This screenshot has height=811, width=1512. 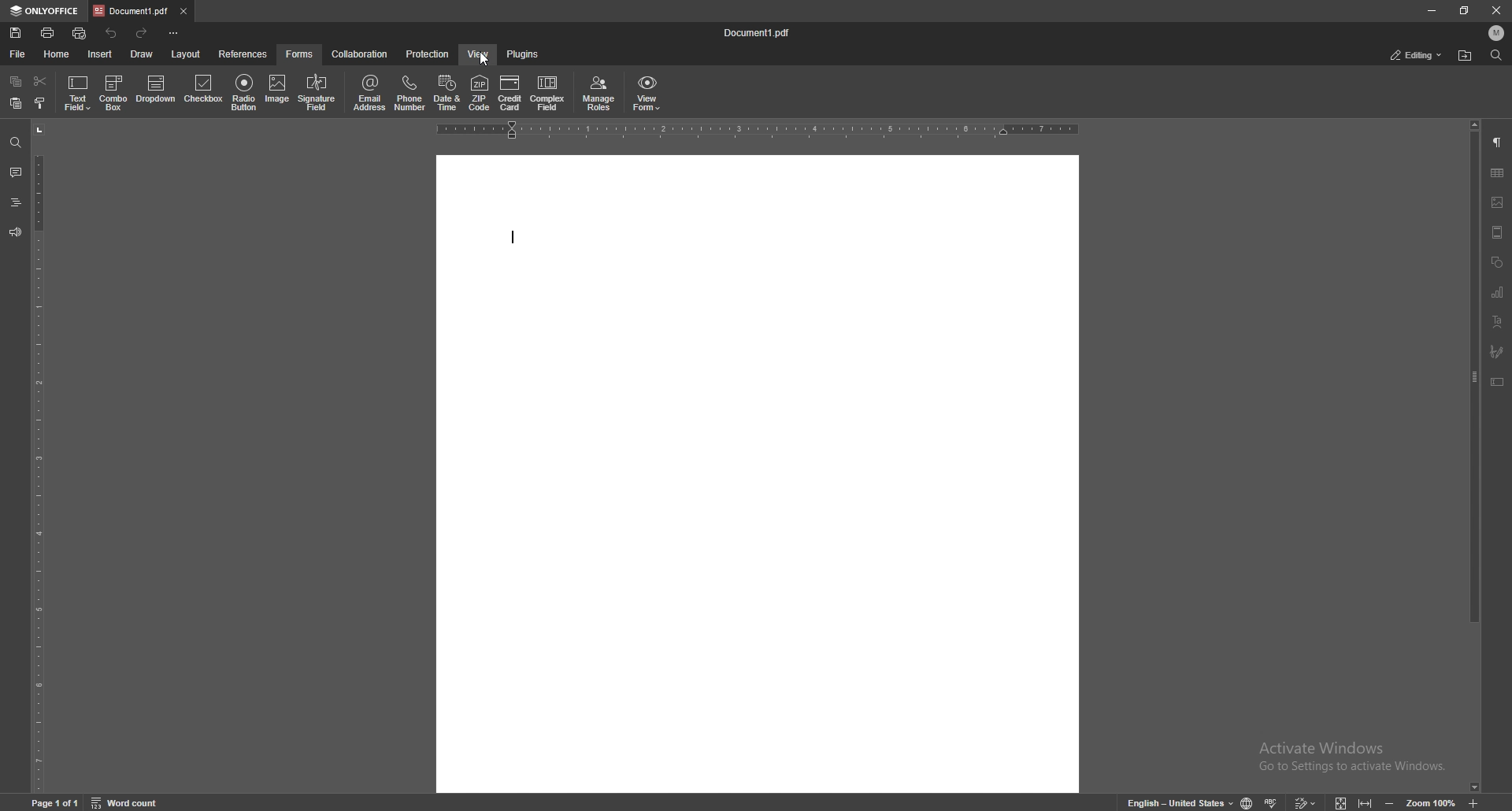 What do you see at coordinates (756, 131) in the screenshot?
I see `horizontal scale` at bounding box center [756, 131].